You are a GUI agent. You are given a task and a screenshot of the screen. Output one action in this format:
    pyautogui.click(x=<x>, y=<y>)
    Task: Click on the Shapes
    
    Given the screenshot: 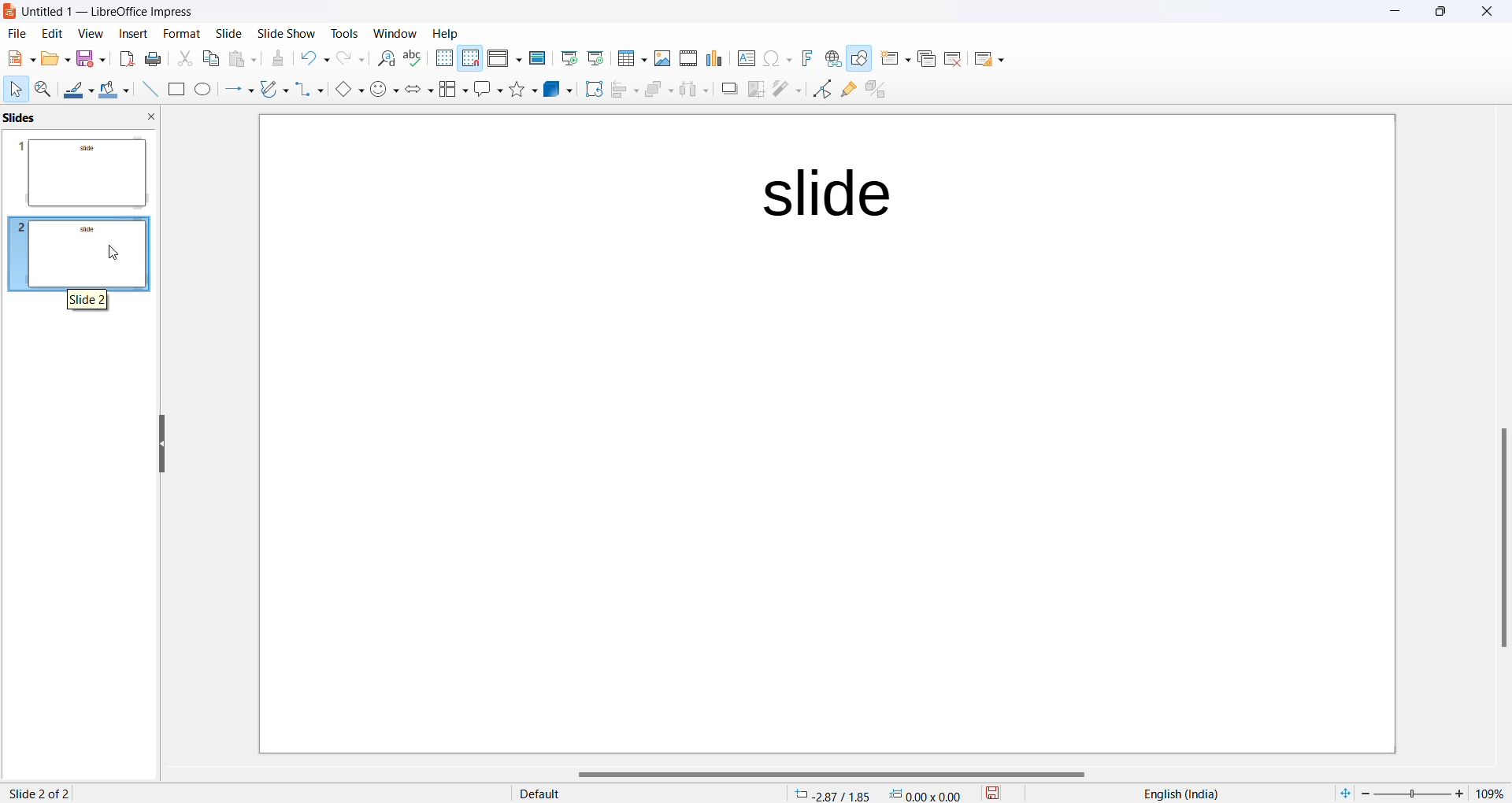 What is the action you would take?
    pyautogui.click(x=521, y=90)
    